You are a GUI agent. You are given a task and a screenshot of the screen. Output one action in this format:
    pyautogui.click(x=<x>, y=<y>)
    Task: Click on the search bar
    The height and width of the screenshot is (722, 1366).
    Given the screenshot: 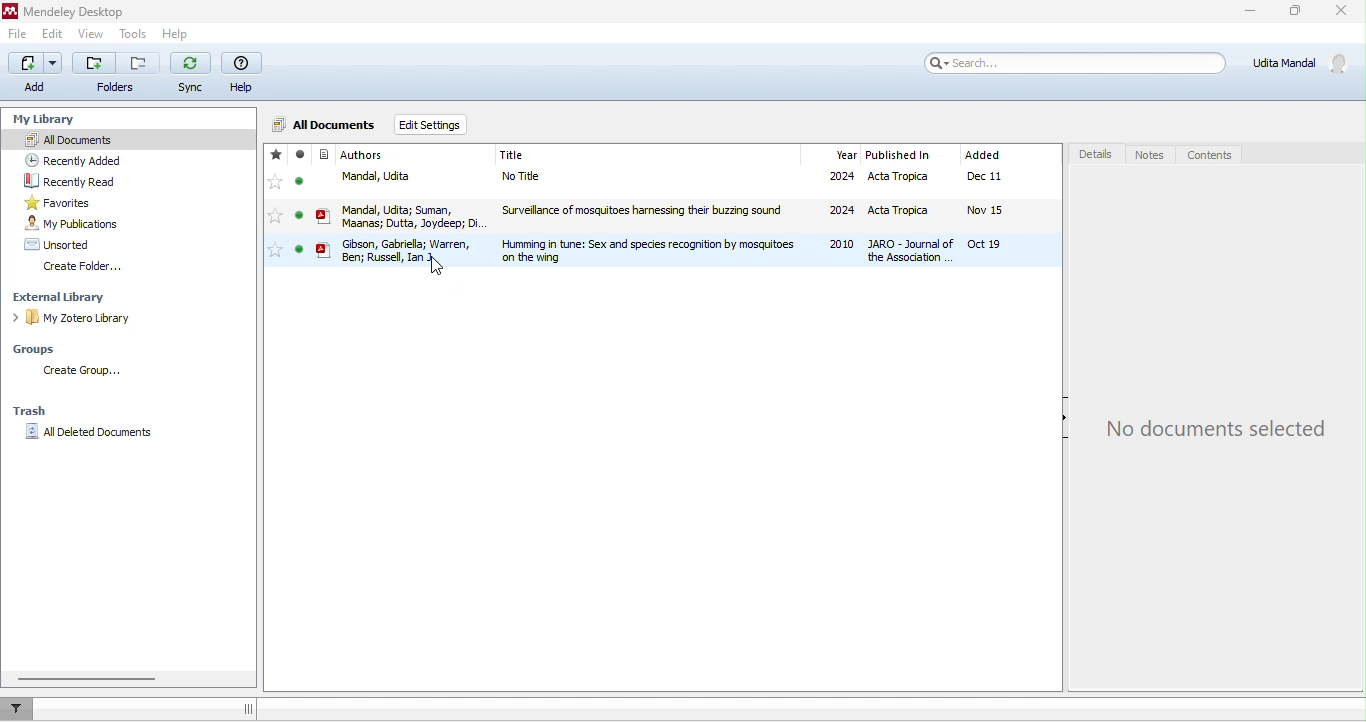 What is the action you would take?
    pyautogui.click(x=1077, y=64)
    